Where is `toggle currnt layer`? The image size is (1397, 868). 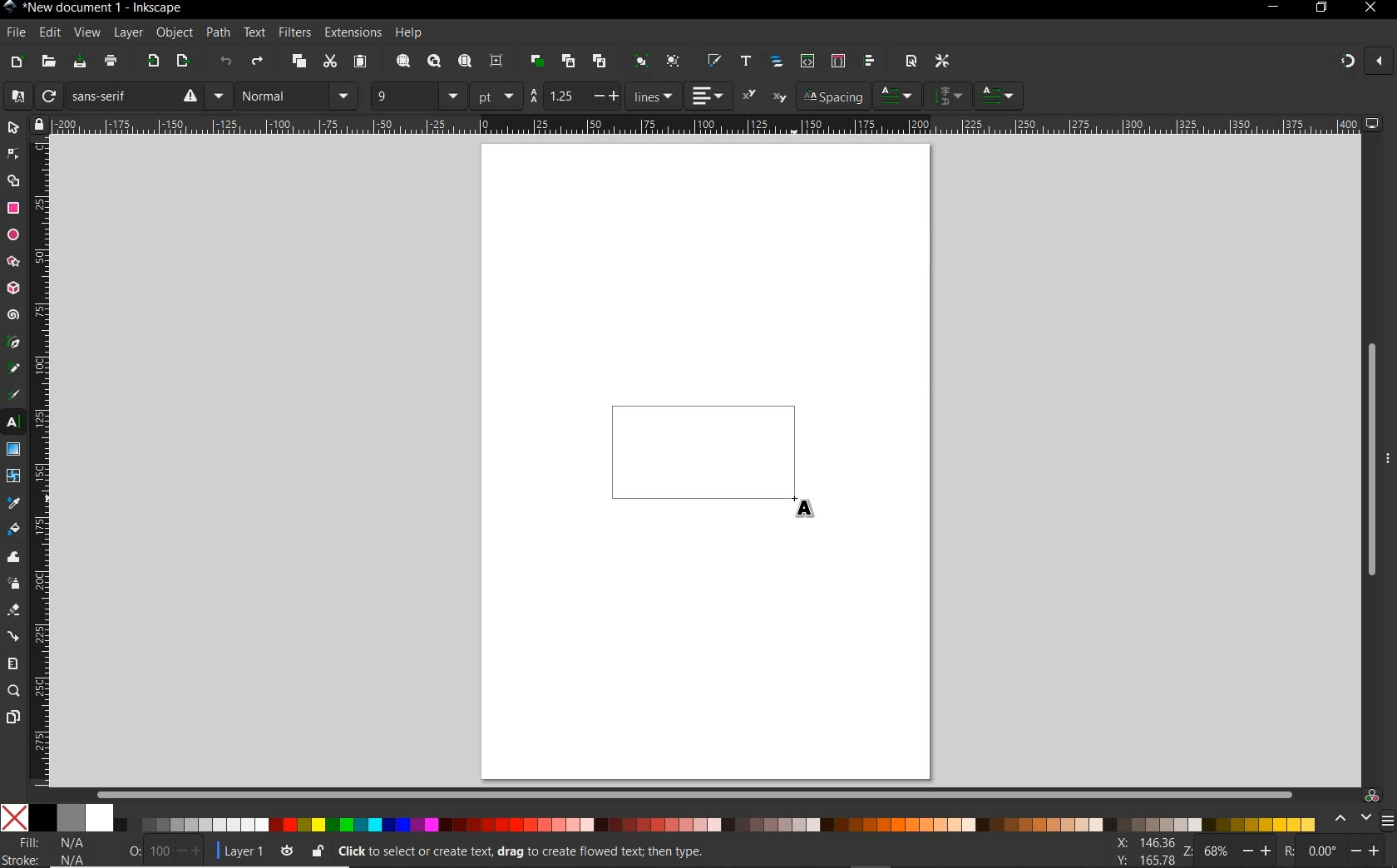 toggle currnt layer is located at coordinates (287, 850).